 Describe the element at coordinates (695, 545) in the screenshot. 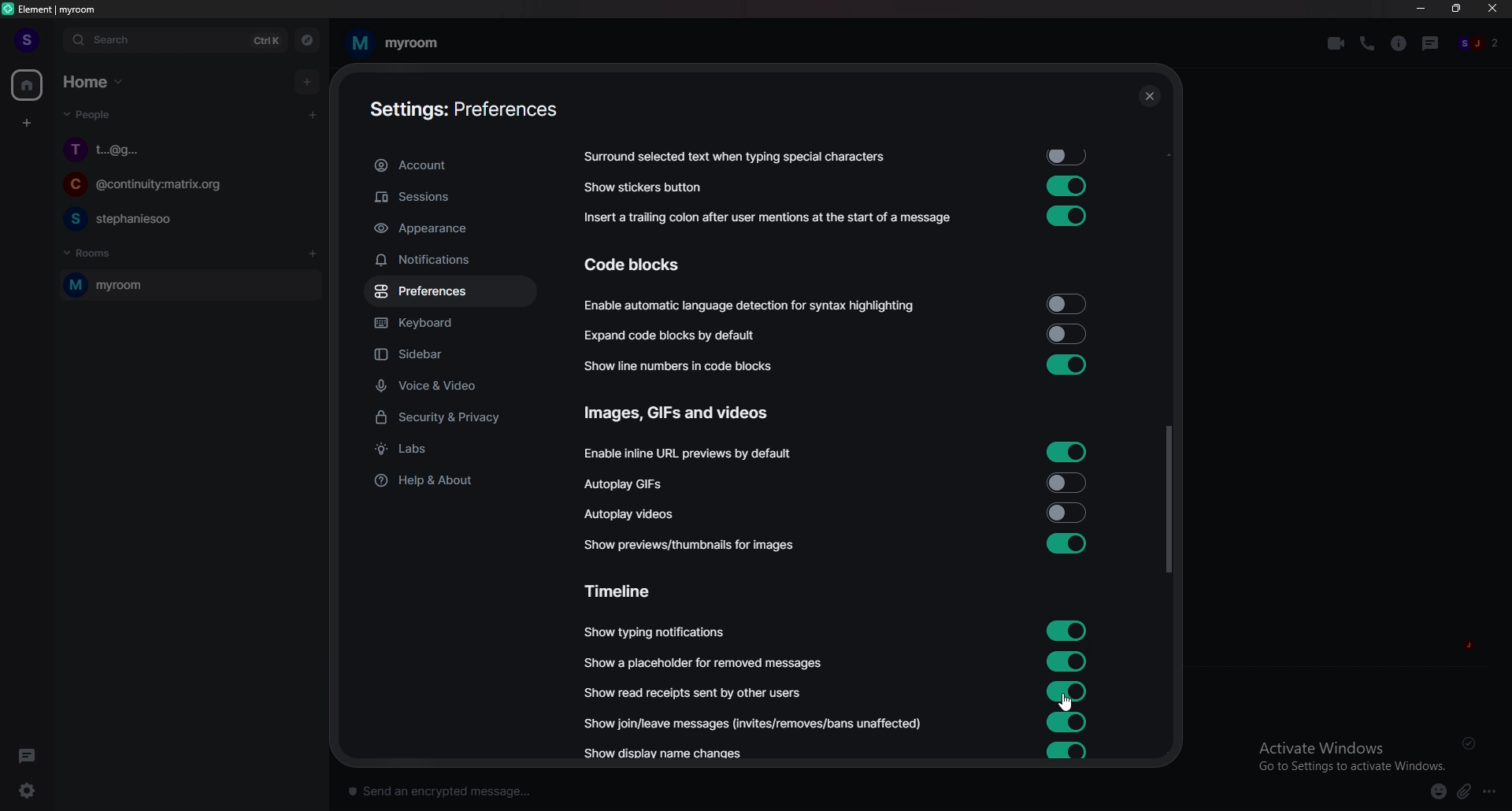

I see `show previews for images` at that location.